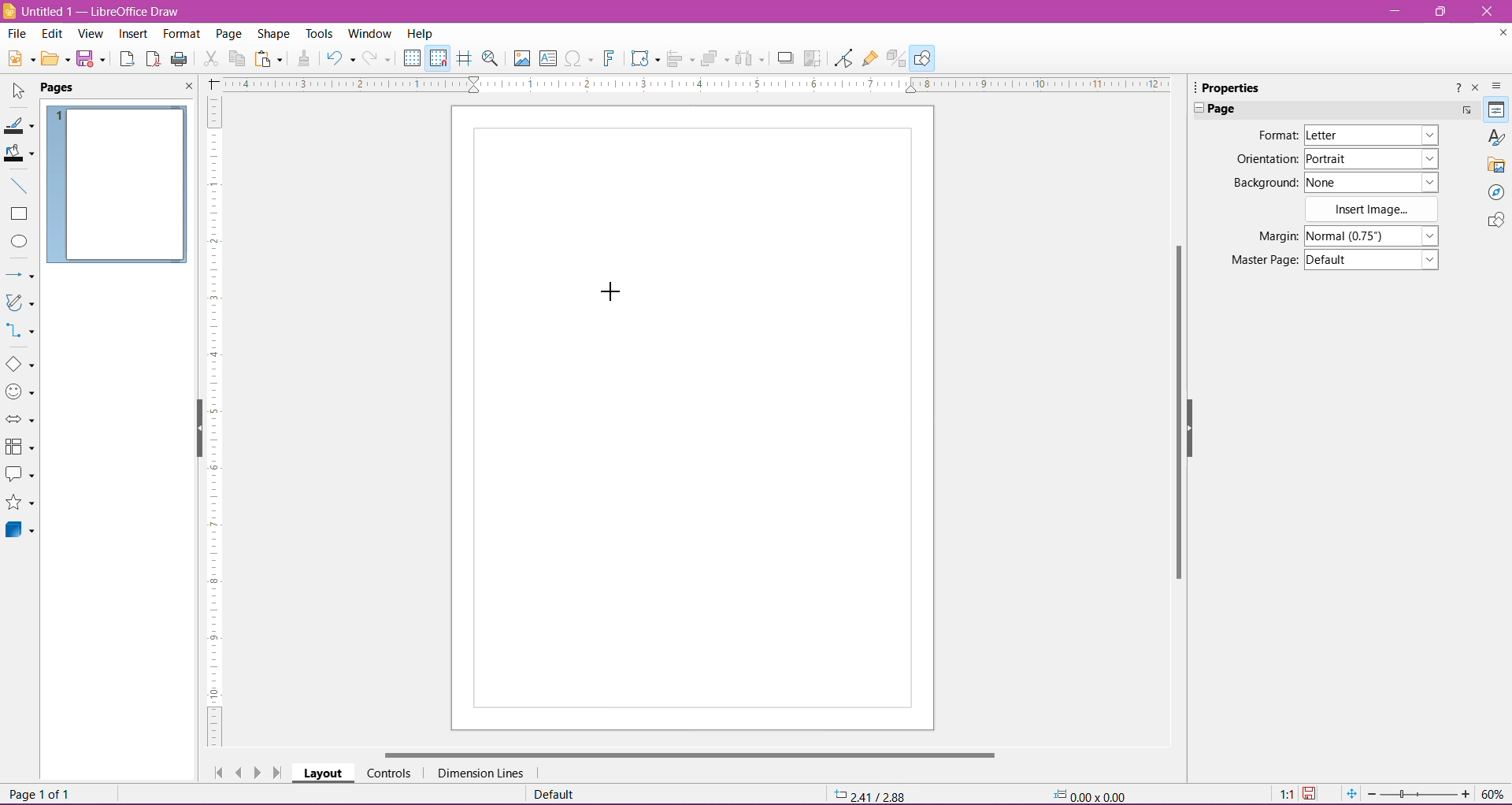 Image resolution: width=1512 pixels, height=805 pixels. What do you see at coordinates (153, 61) in the screenshot?
I see `Export as PDF` at bounding box center [153, 61].